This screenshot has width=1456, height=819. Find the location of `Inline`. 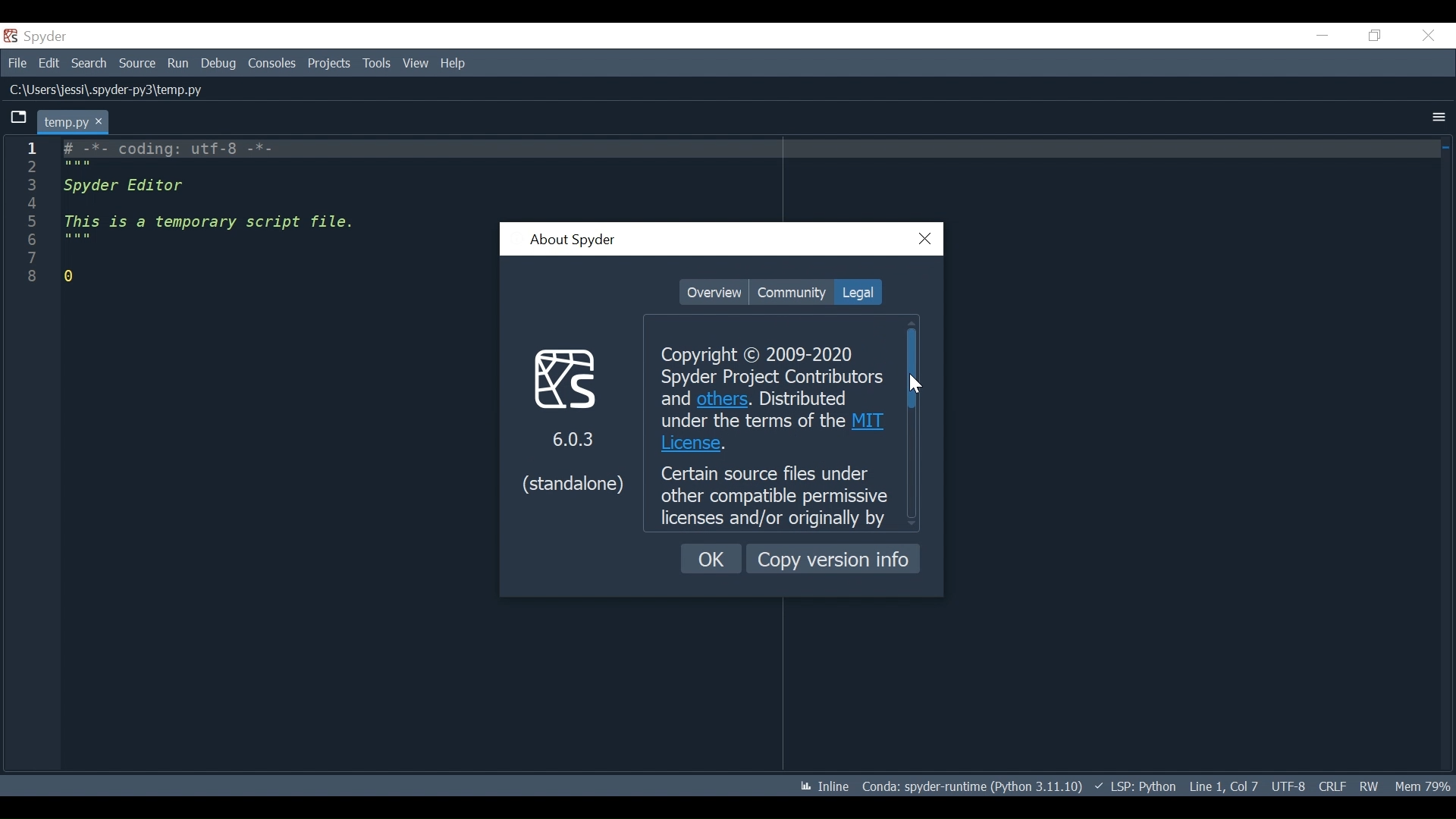

Inline is located at coordinates (818, 787).